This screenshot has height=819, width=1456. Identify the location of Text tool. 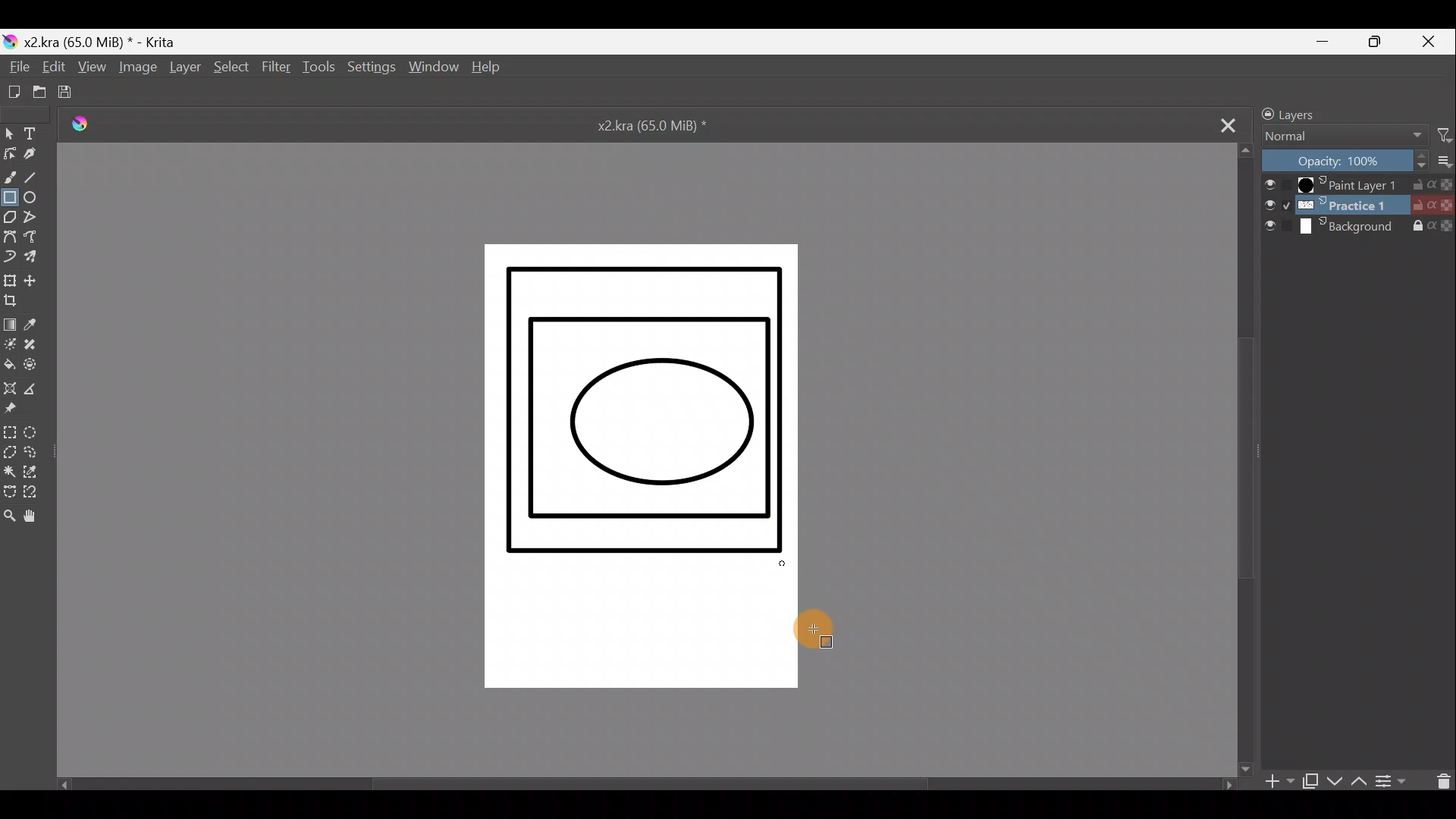
(30, 132).